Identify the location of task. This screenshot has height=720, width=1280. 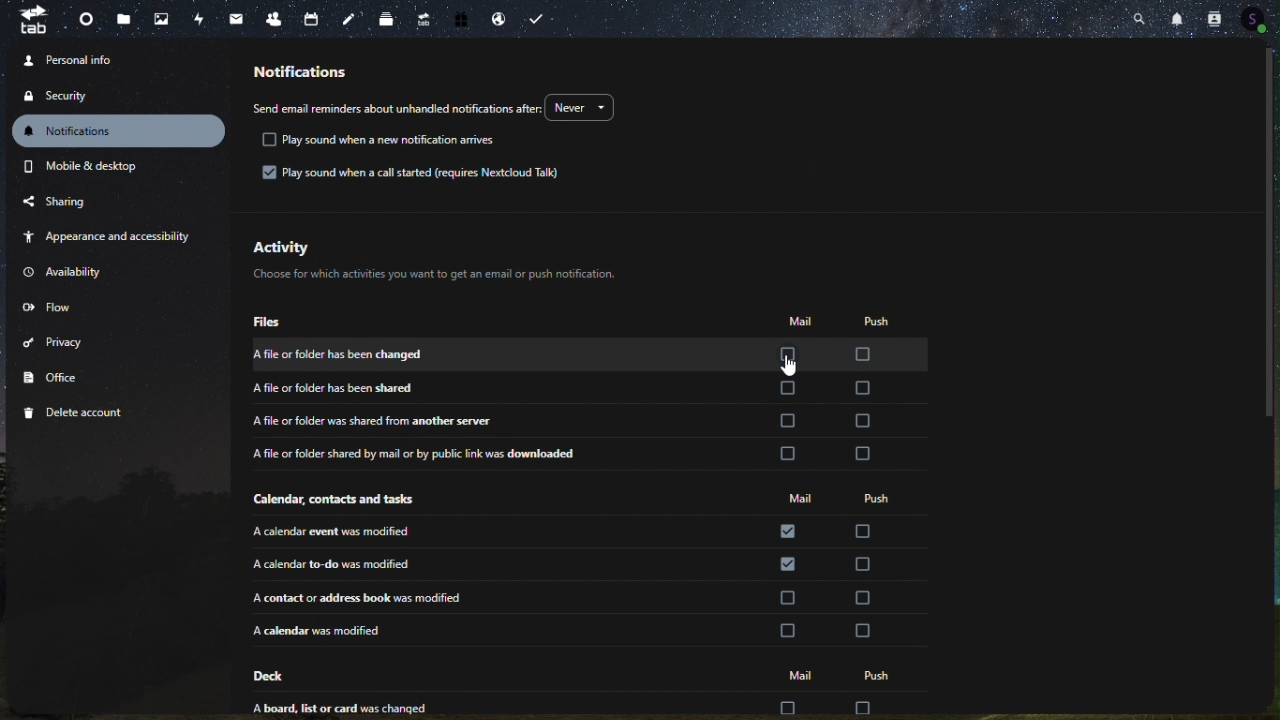
(533, 18).